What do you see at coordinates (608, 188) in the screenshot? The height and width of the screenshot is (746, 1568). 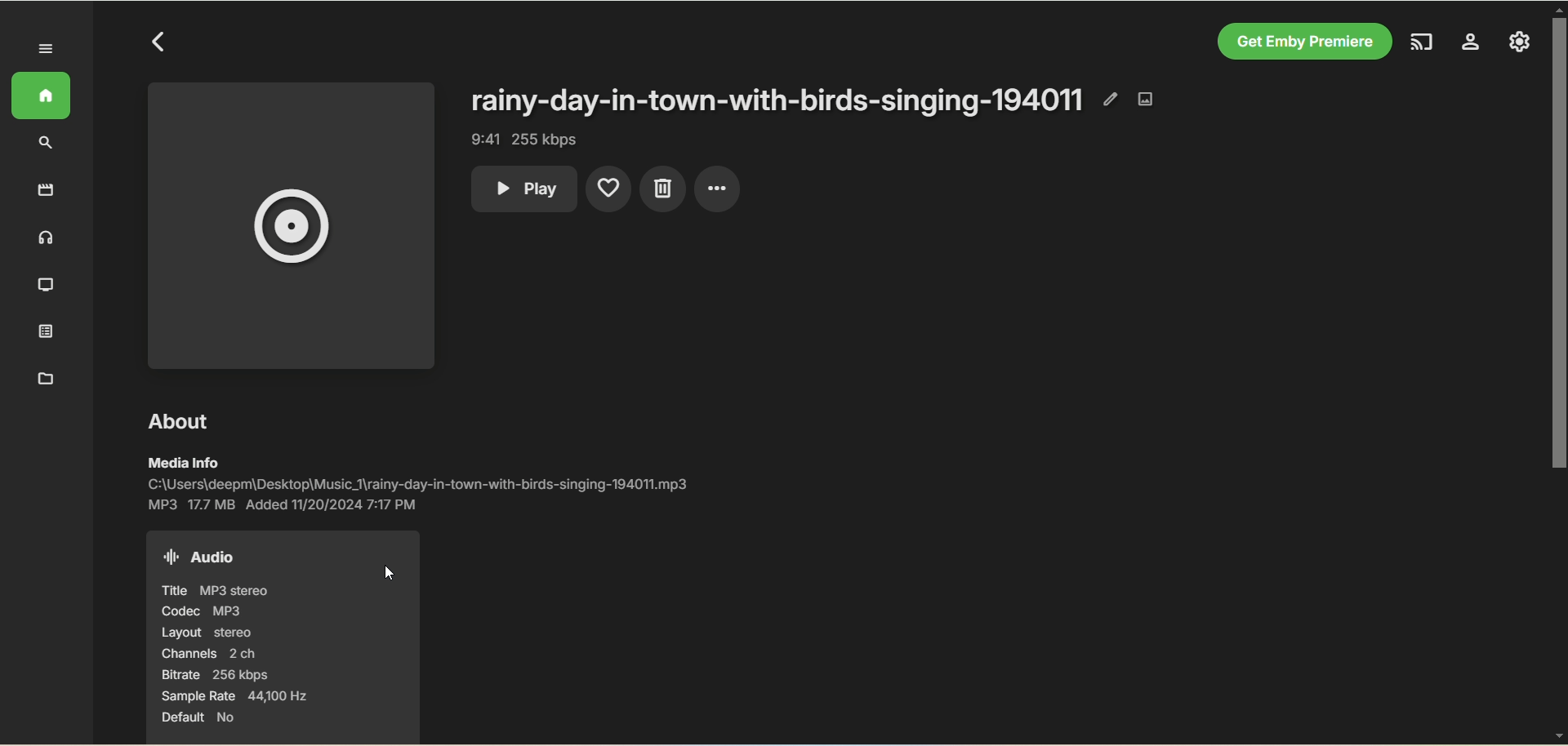 I see `favorites` at bounding box center [608, 188].